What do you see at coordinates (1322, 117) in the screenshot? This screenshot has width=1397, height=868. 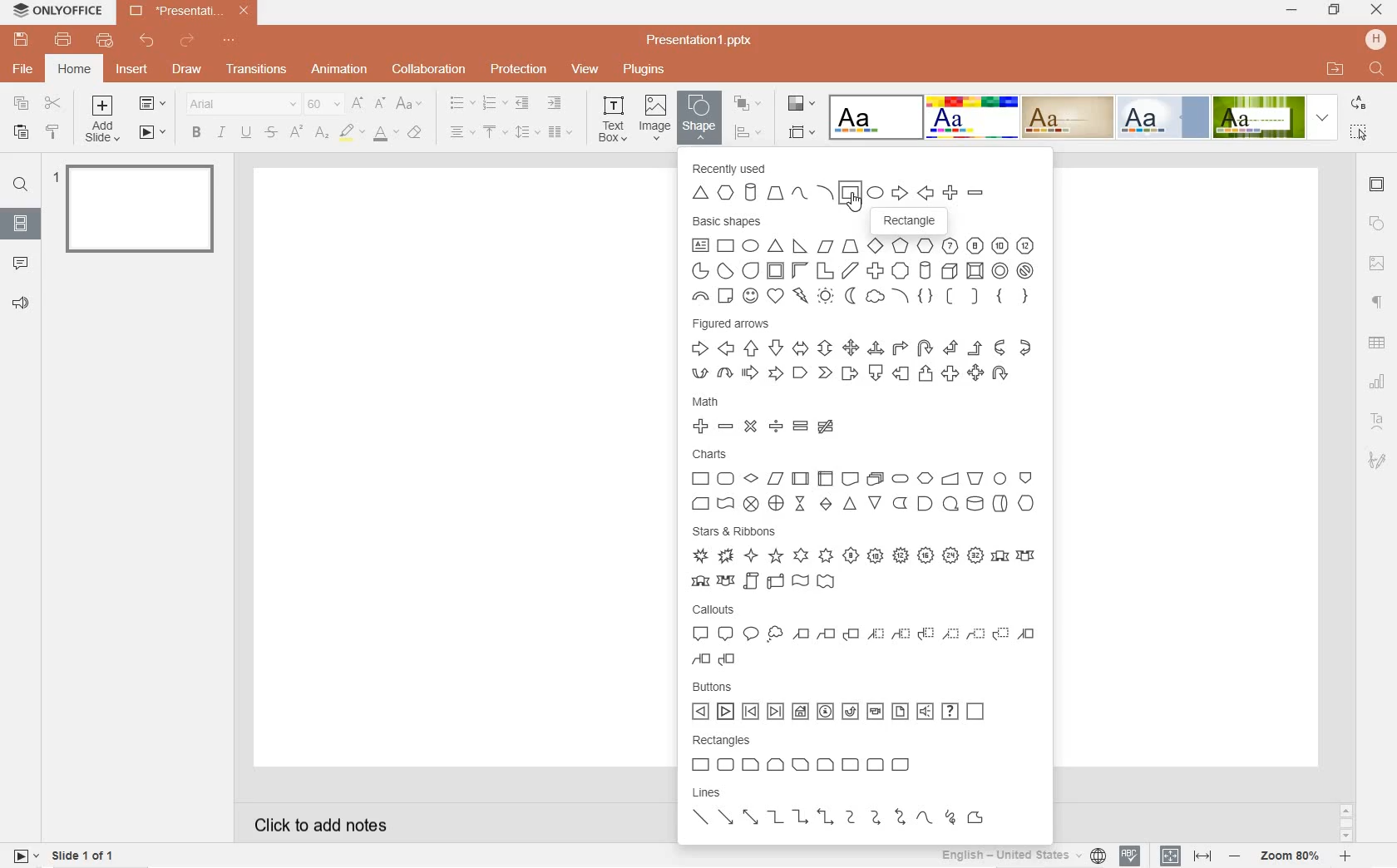 I see `expand ` at bounding box center [1322, 117].